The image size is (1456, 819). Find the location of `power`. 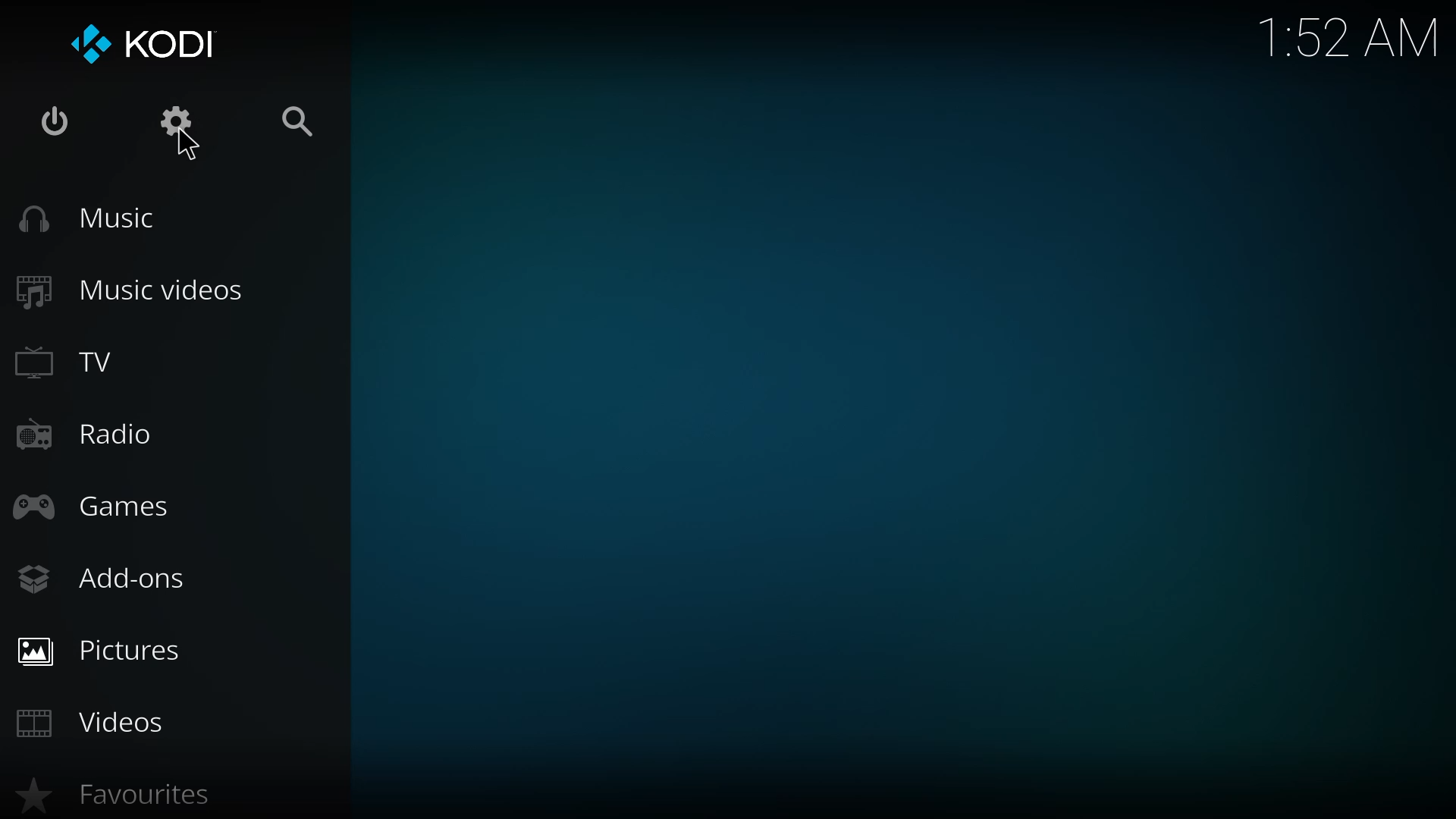

power is located at coordinates (49, 120).